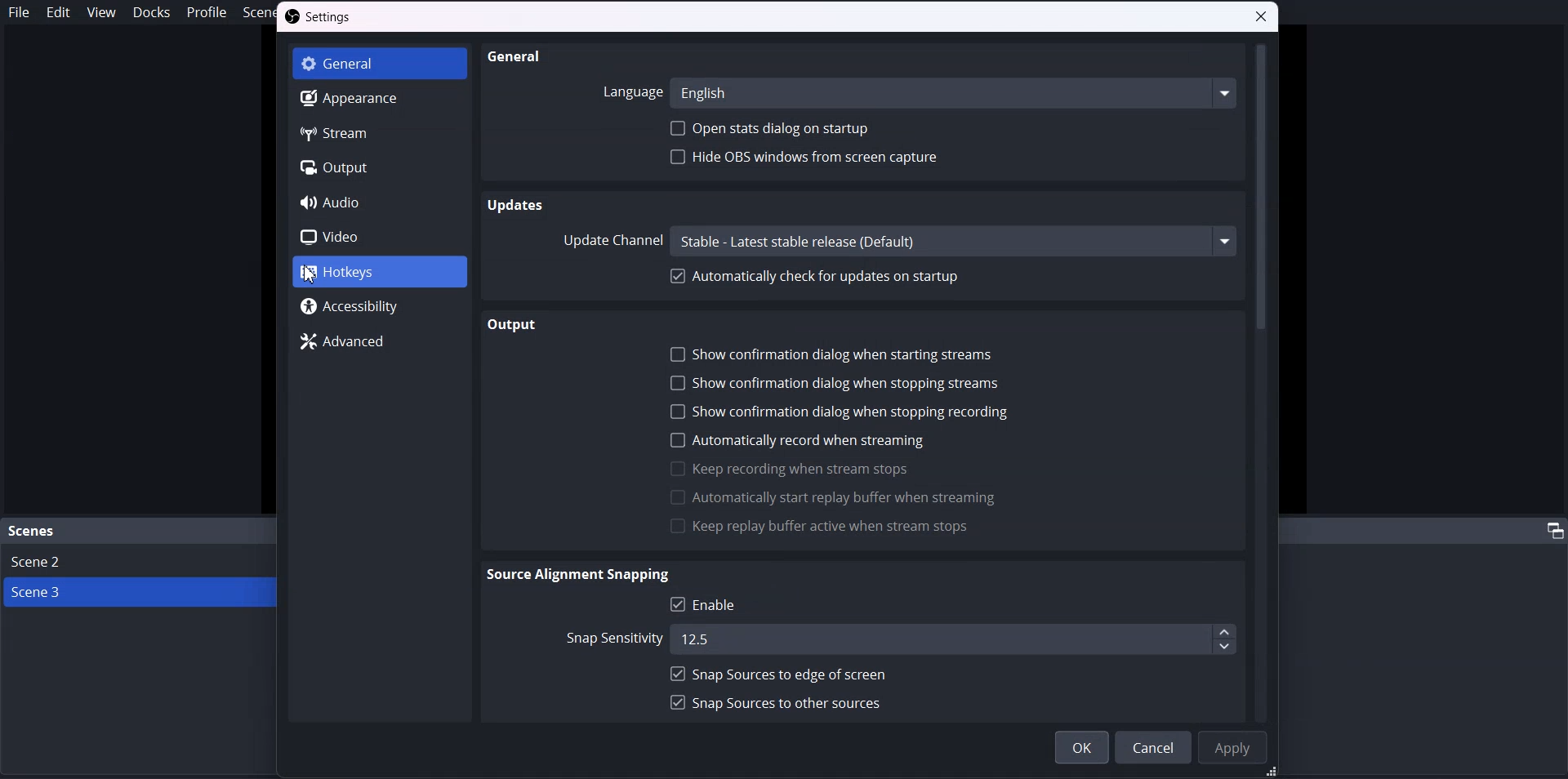  Describe the element at coordinates (1266, 18) in the screenshot. I see `Close` at that location.